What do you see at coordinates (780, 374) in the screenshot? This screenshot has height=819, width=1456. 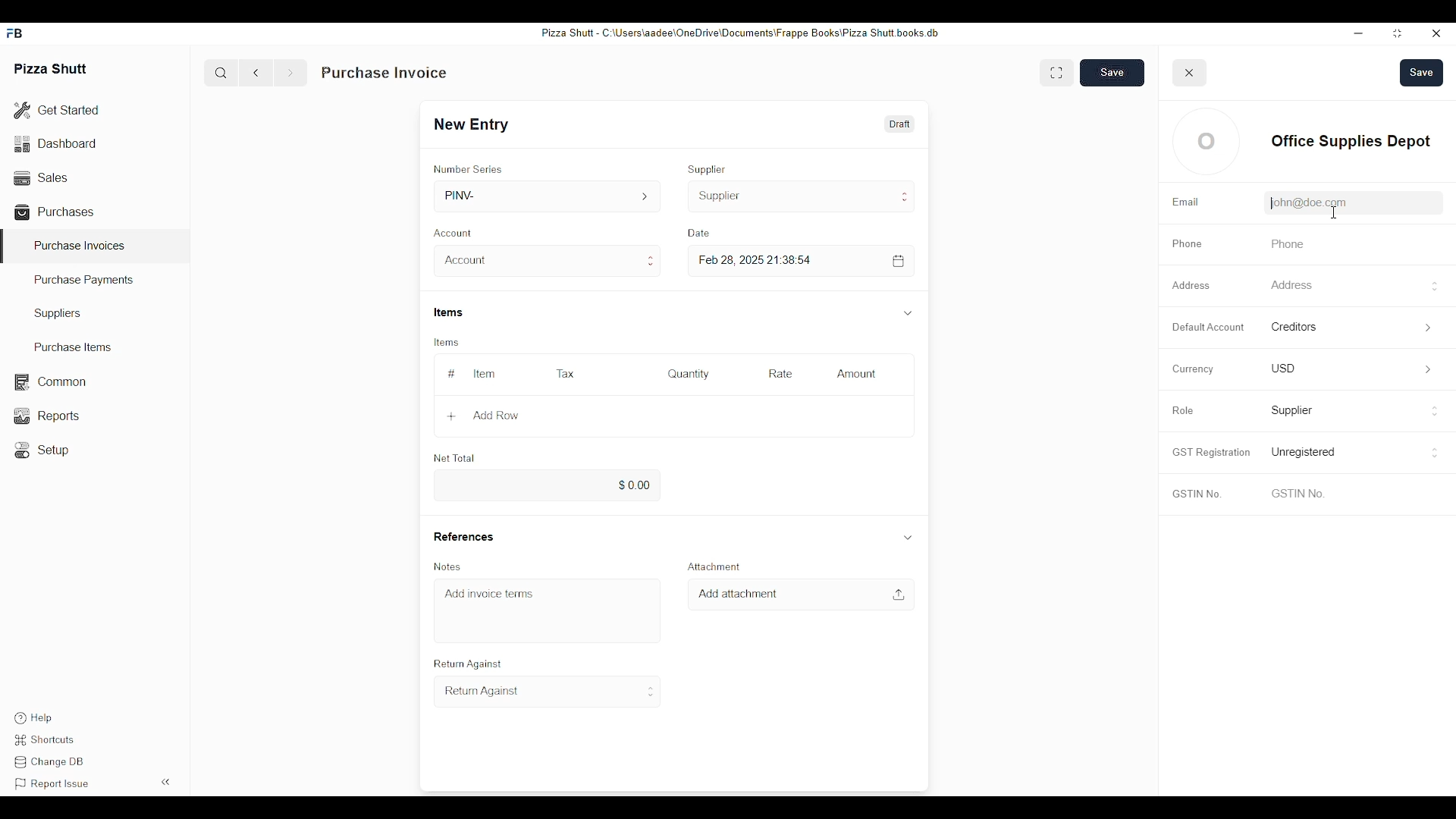 I see `Rate` at bounding box center [780, 374].